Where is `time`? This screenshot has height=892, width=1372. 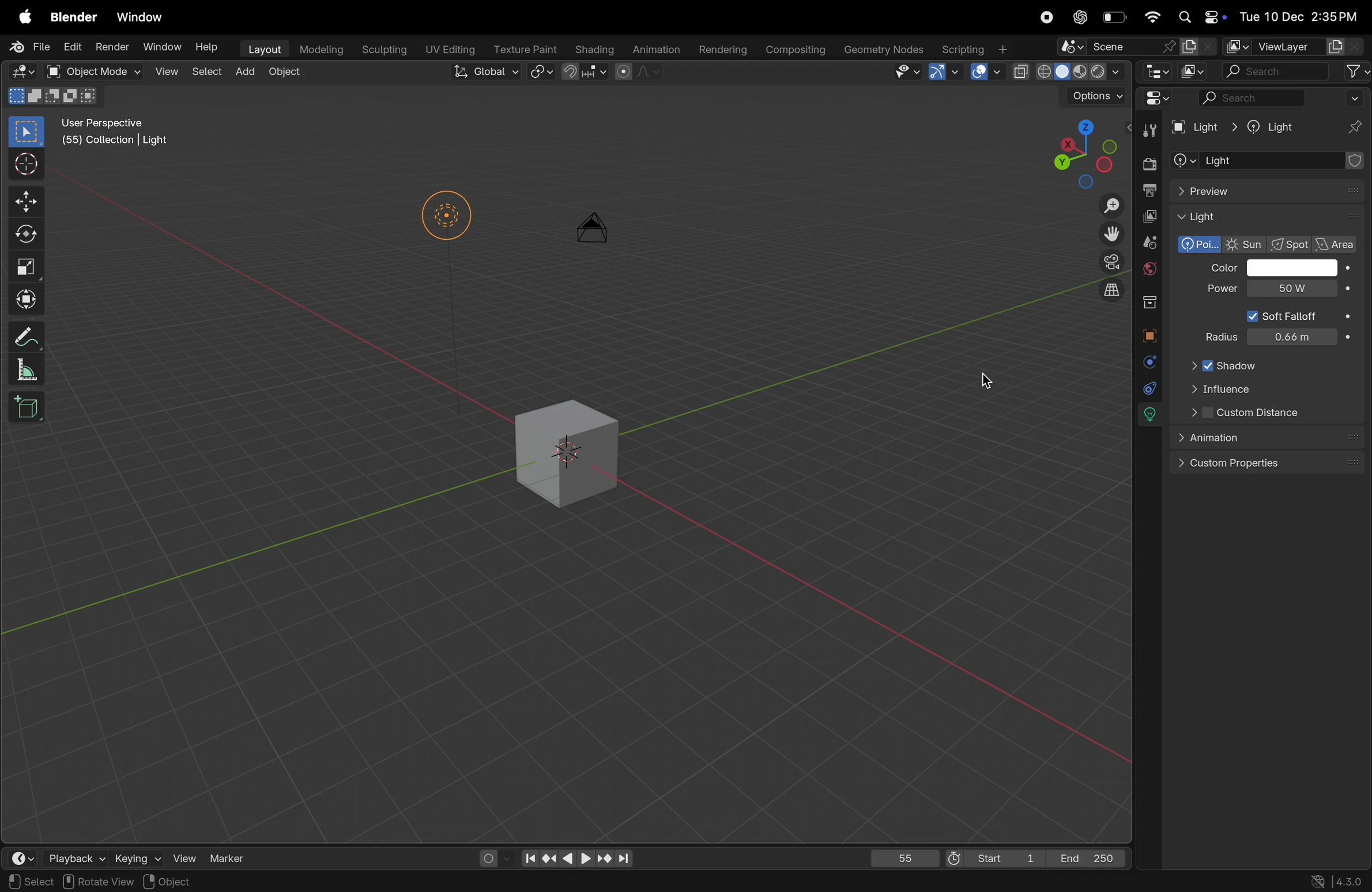 time is located at coordinates (28, 857).